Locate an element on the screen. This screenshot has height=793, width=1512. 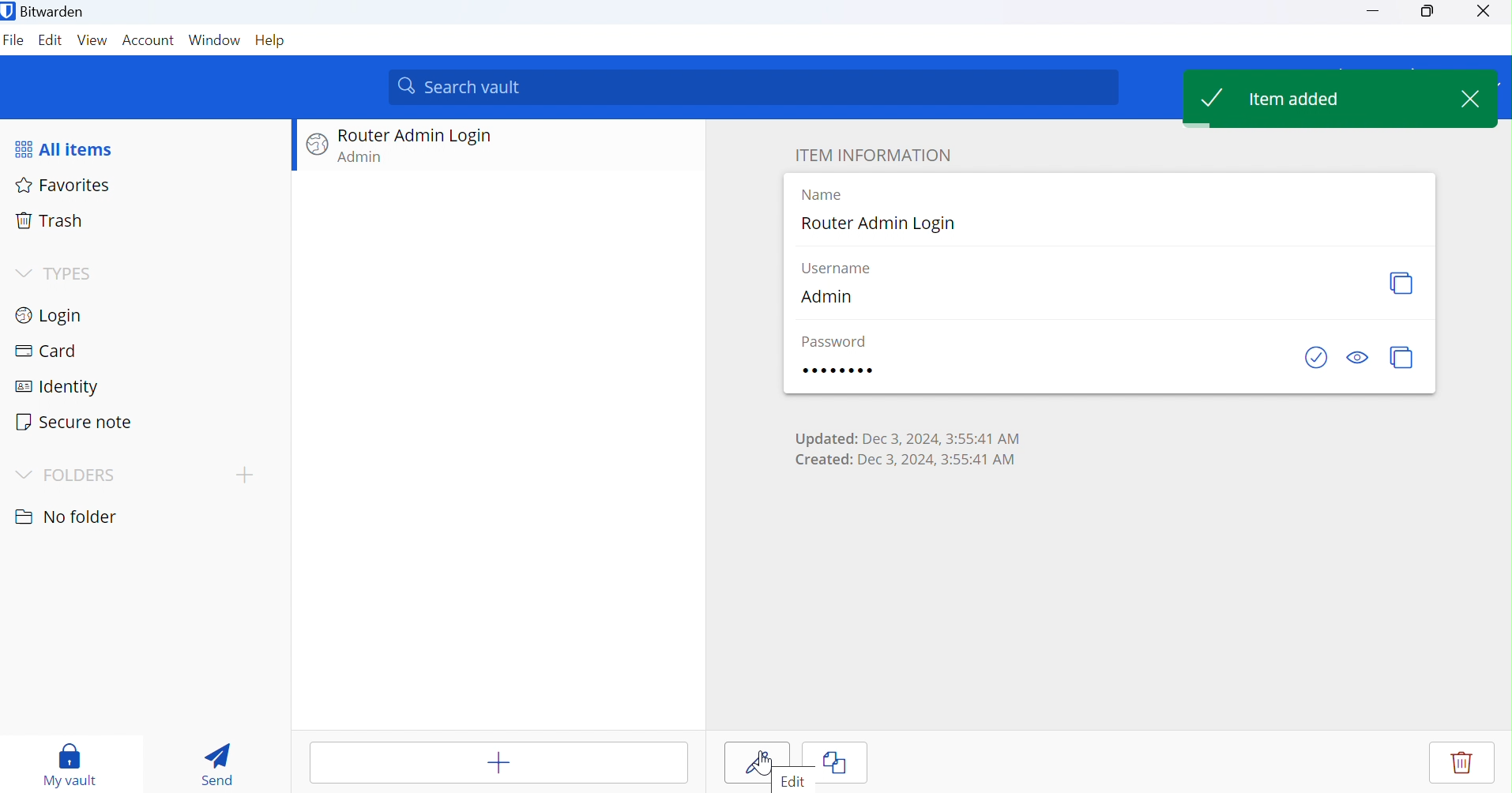
My vault is located at coordinates (70, 760).